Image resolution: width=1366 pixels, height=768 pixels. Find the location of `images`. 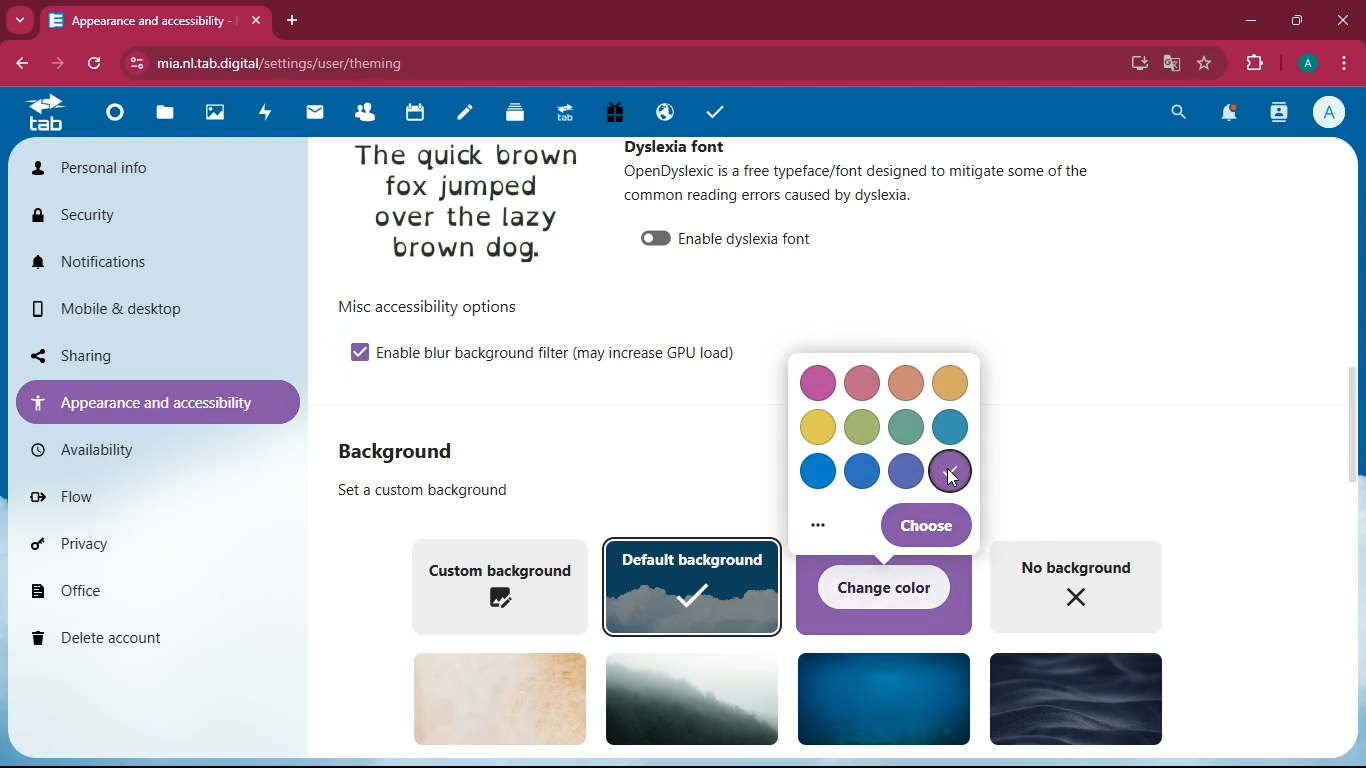

images is located at coordinates (213, 113).